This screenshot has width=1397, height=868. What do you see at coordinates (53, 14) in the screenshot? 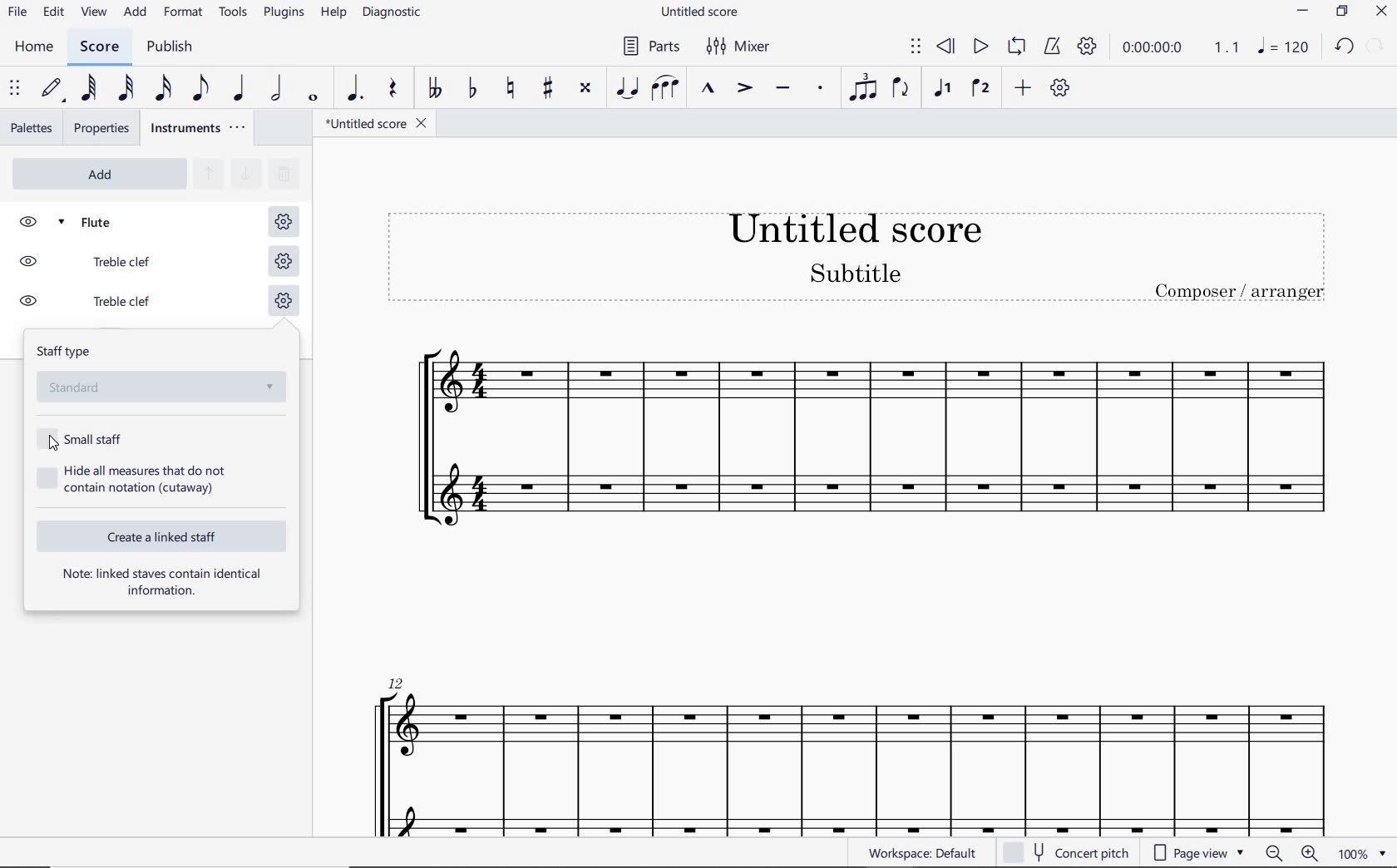
I see `edit` at bounding box center [53, 14].